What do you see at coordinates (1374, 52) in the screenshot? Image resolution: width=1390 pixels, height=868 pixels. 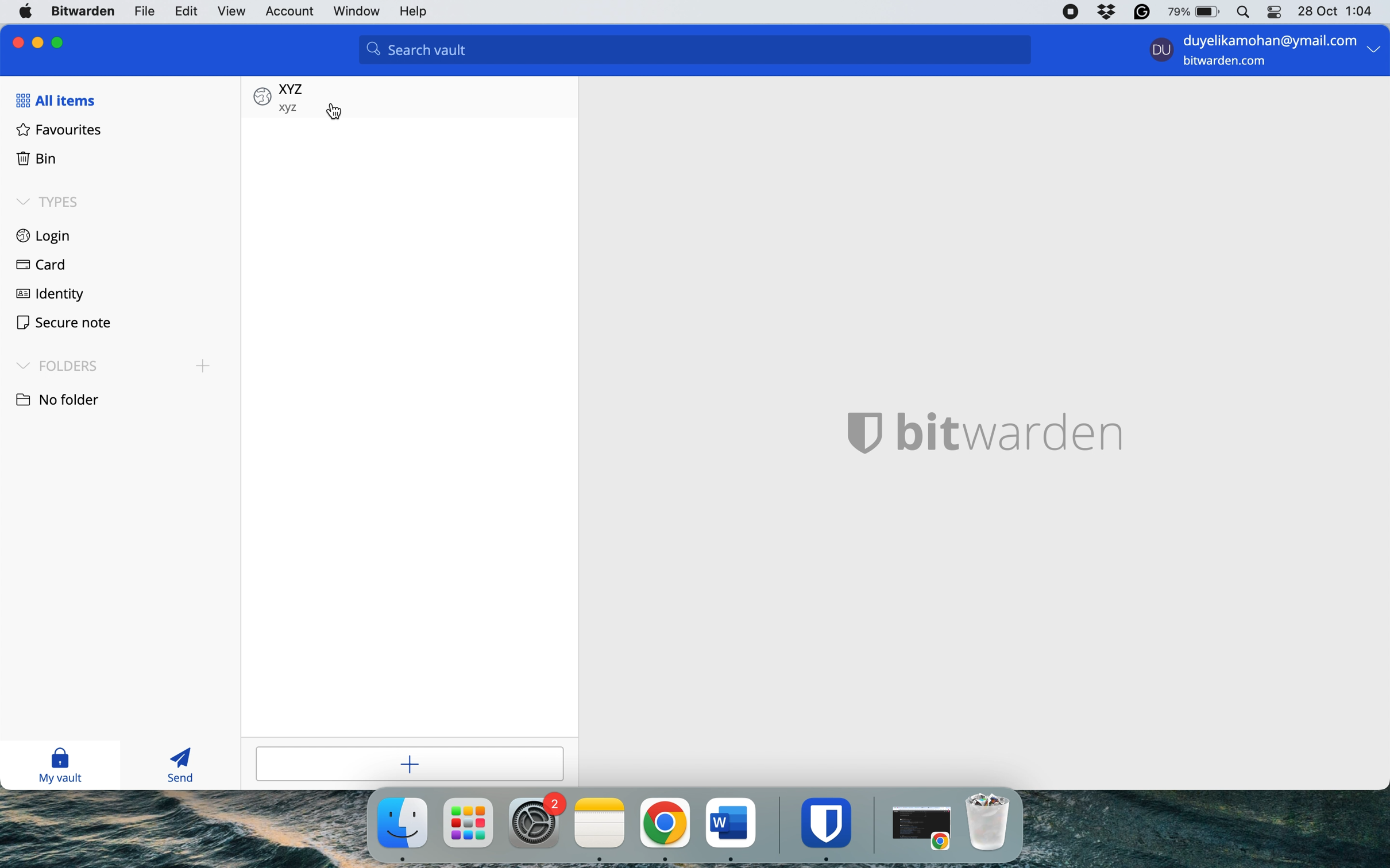 I see `more option` at bounding box center [1374, 52].